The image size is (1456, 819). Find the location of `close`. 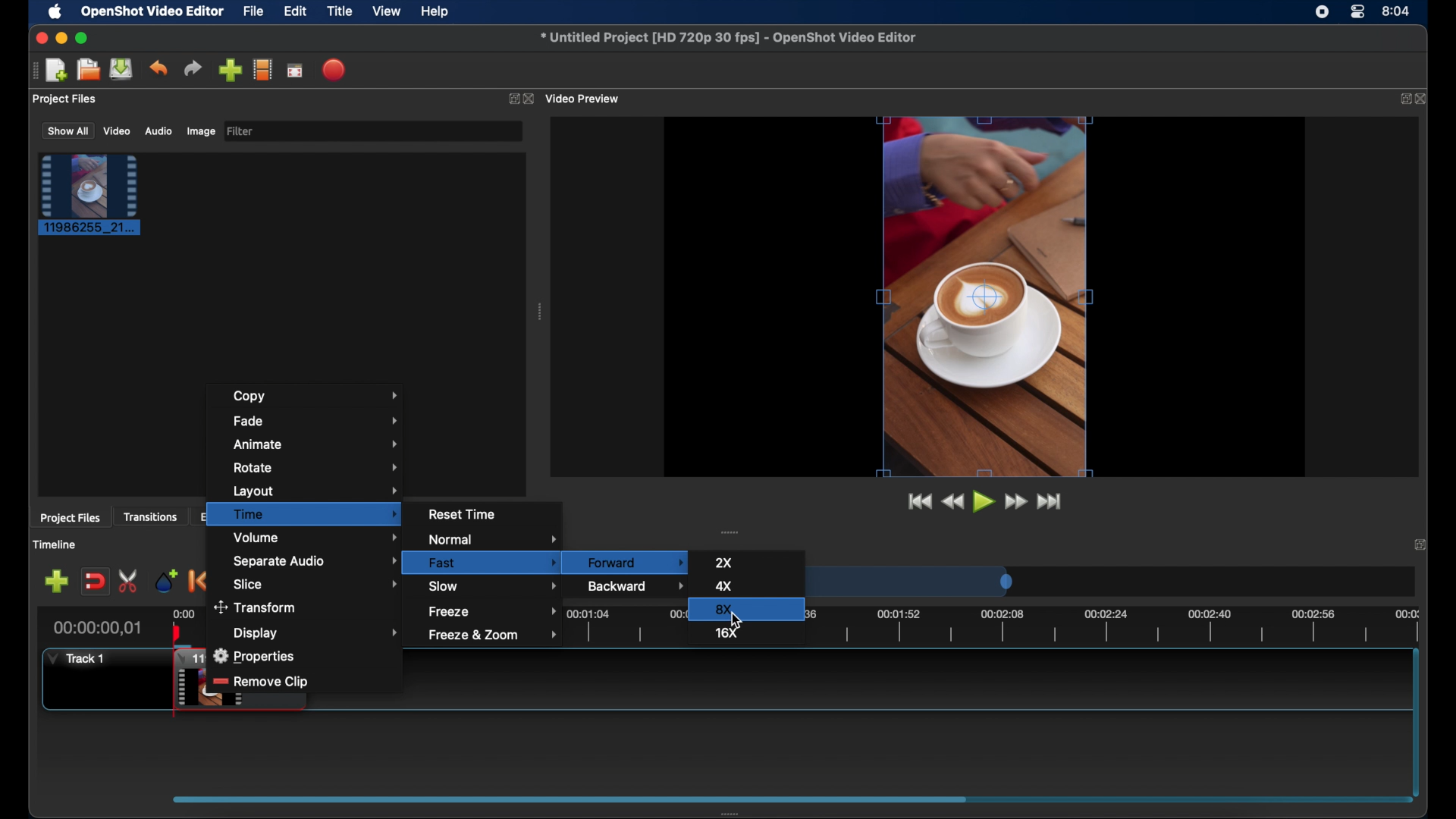

close is located at coordinates (529, 99).